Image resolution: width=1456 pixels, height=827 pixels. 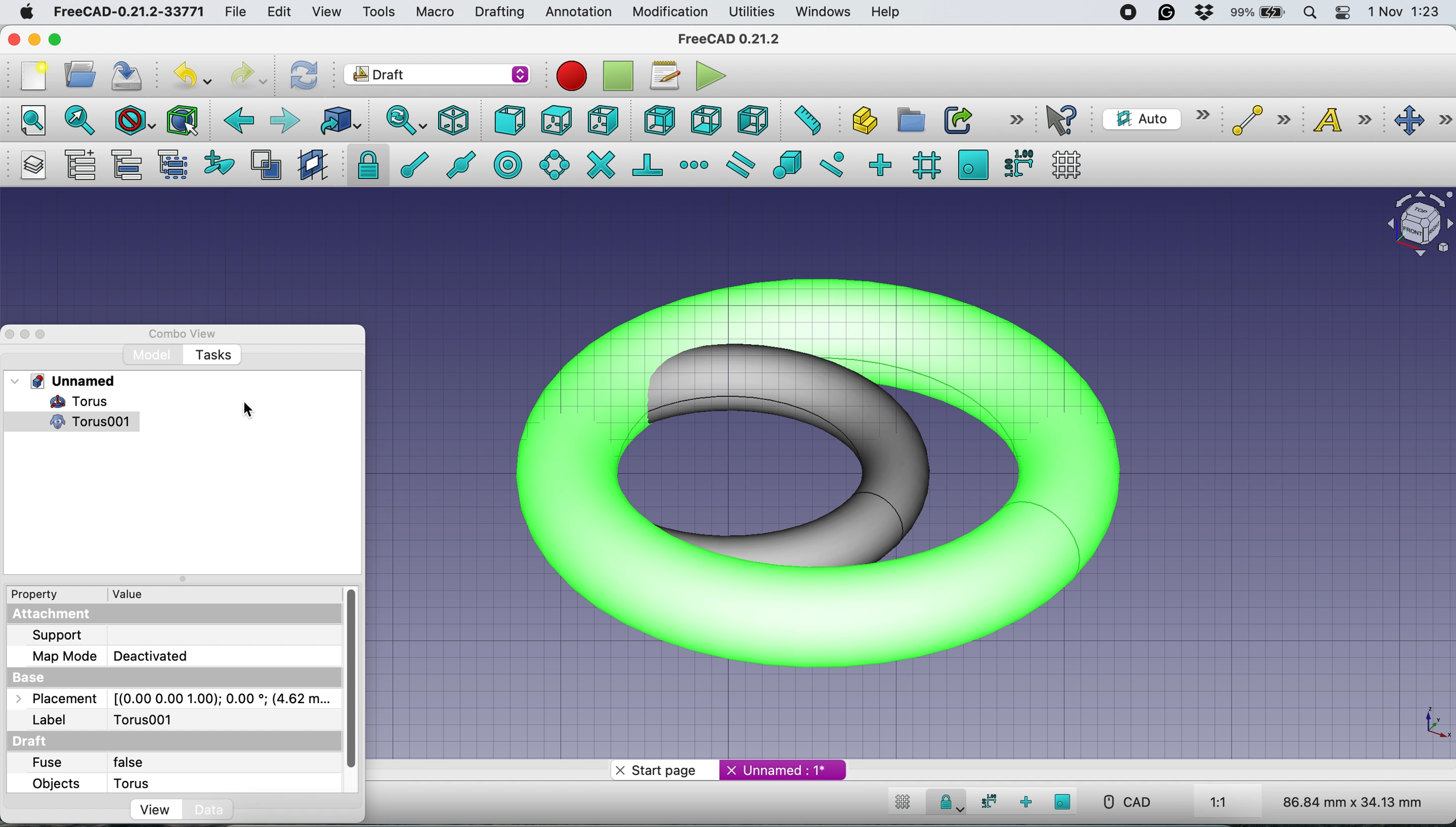 What do you see at coordinates (744, 164) in the screenshot?
I see `snap parallel` at bounding box center [744, 164].